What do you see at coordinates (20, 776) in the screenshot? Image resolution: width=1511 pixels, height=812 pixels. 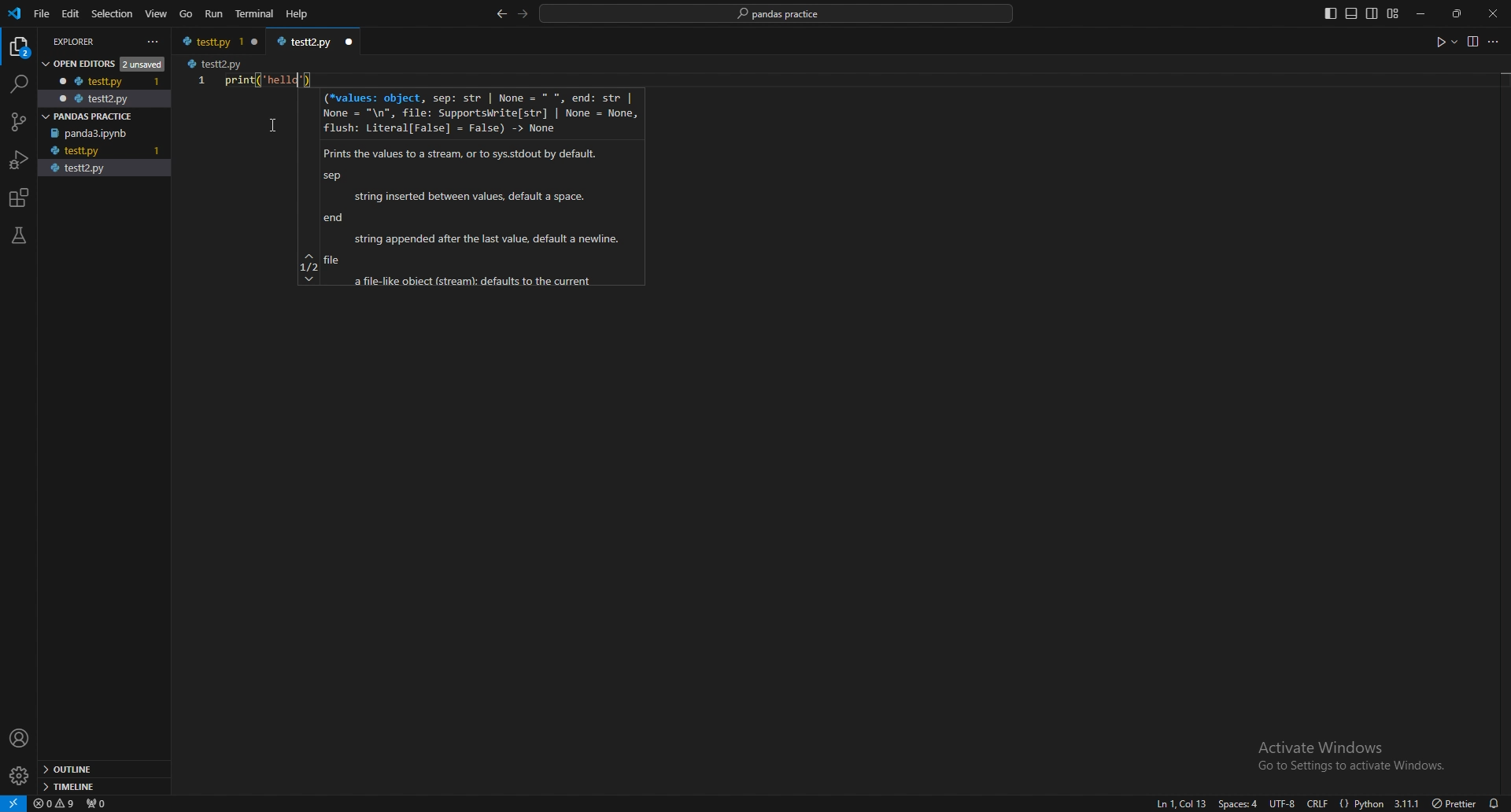 I see `settings` at bounding box center [20, 776].